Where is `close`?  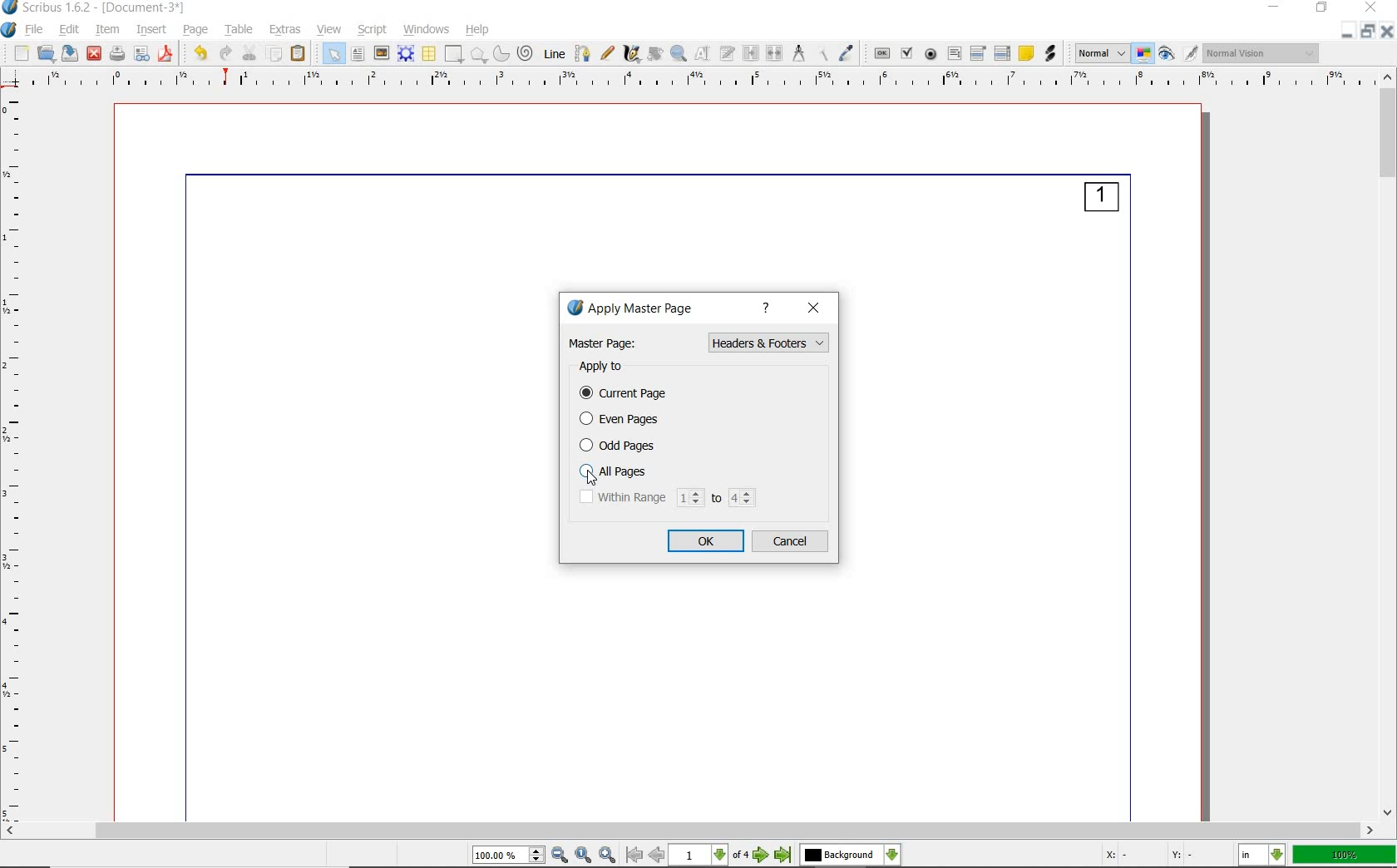
close is located at coordinates (1389, 31).